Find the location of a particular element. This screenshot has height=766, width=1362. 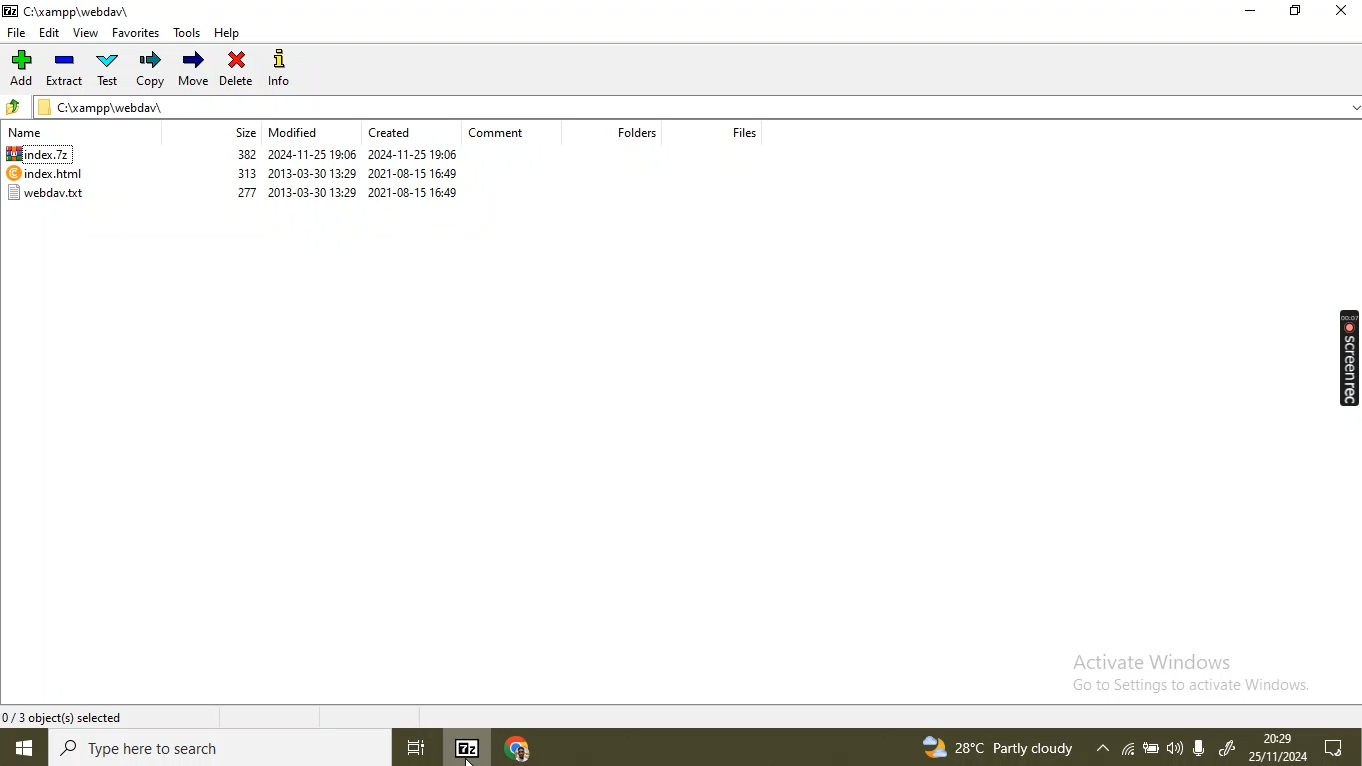

Activate Windows
Go to Settings to activate Windows. is located at coordinates (1196, 676).